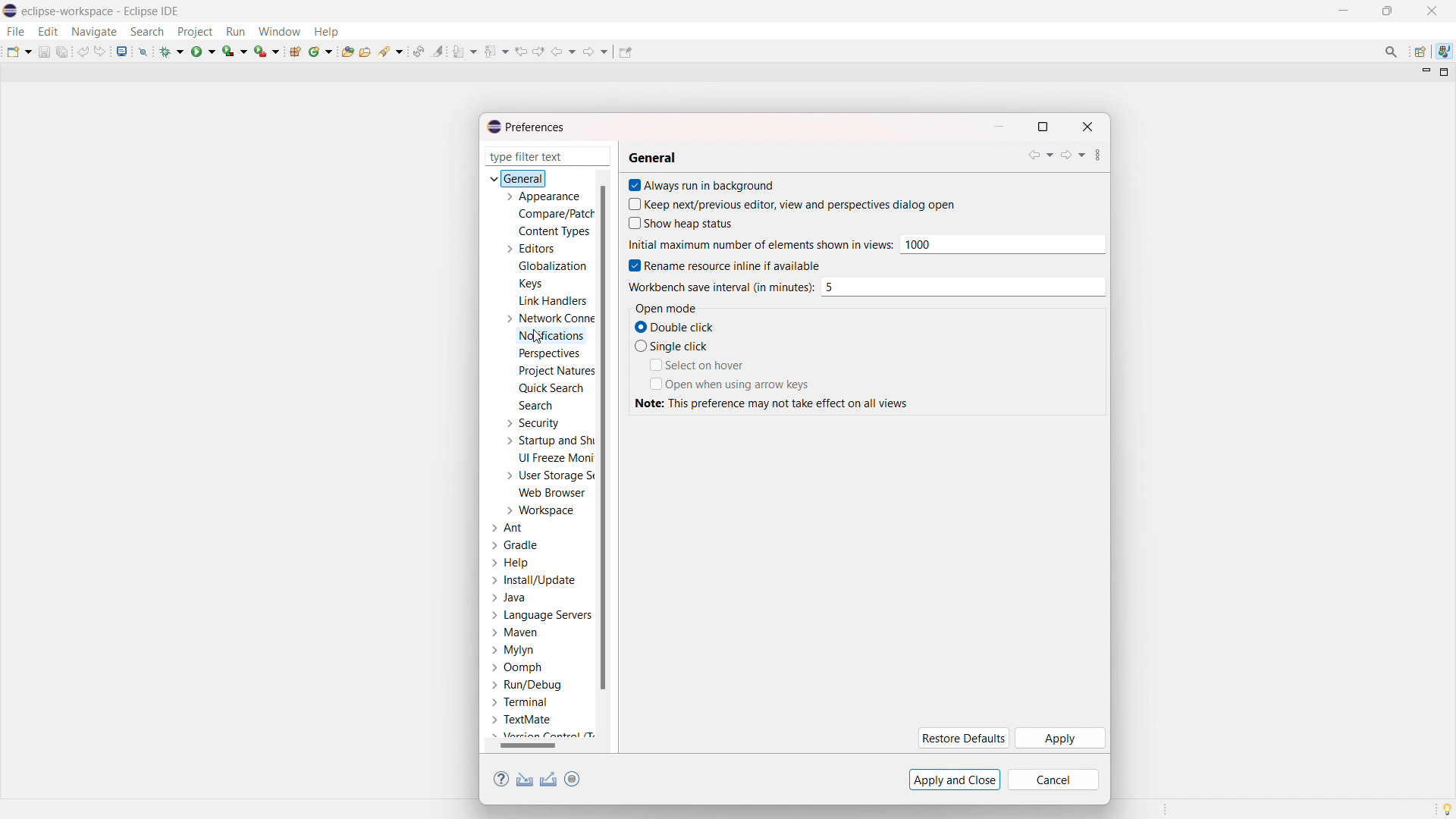 The width and height of the screenshot is (1456, 819). What do you see at coordinates (759, 245) in the screenshot?
I see `cursor` at bounding box center [759, 245].